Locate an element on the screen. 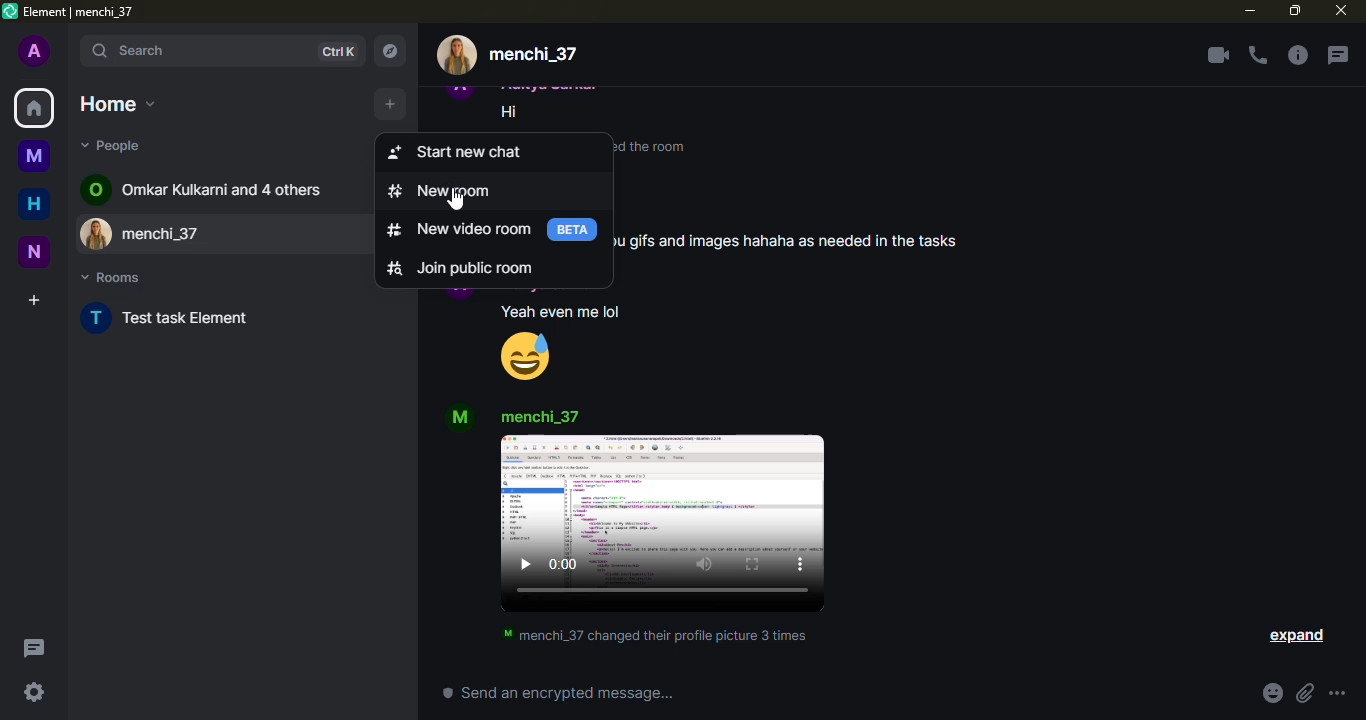 The height and width of the screenshot is (720, 1366). add is located at coordinates (390, 104).